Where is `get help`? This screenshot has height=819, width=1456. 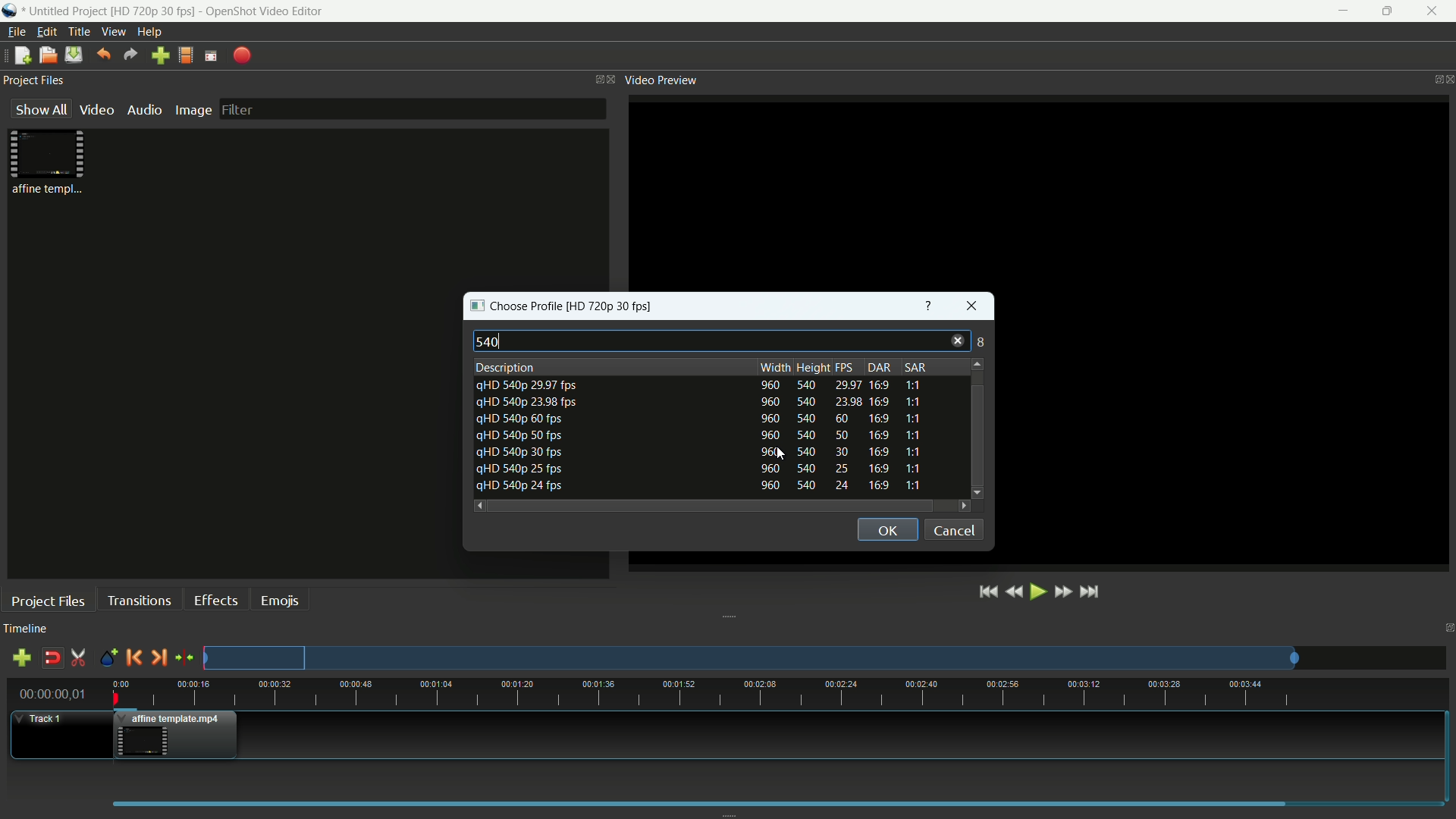
get help is located at coordinates (929, 308).